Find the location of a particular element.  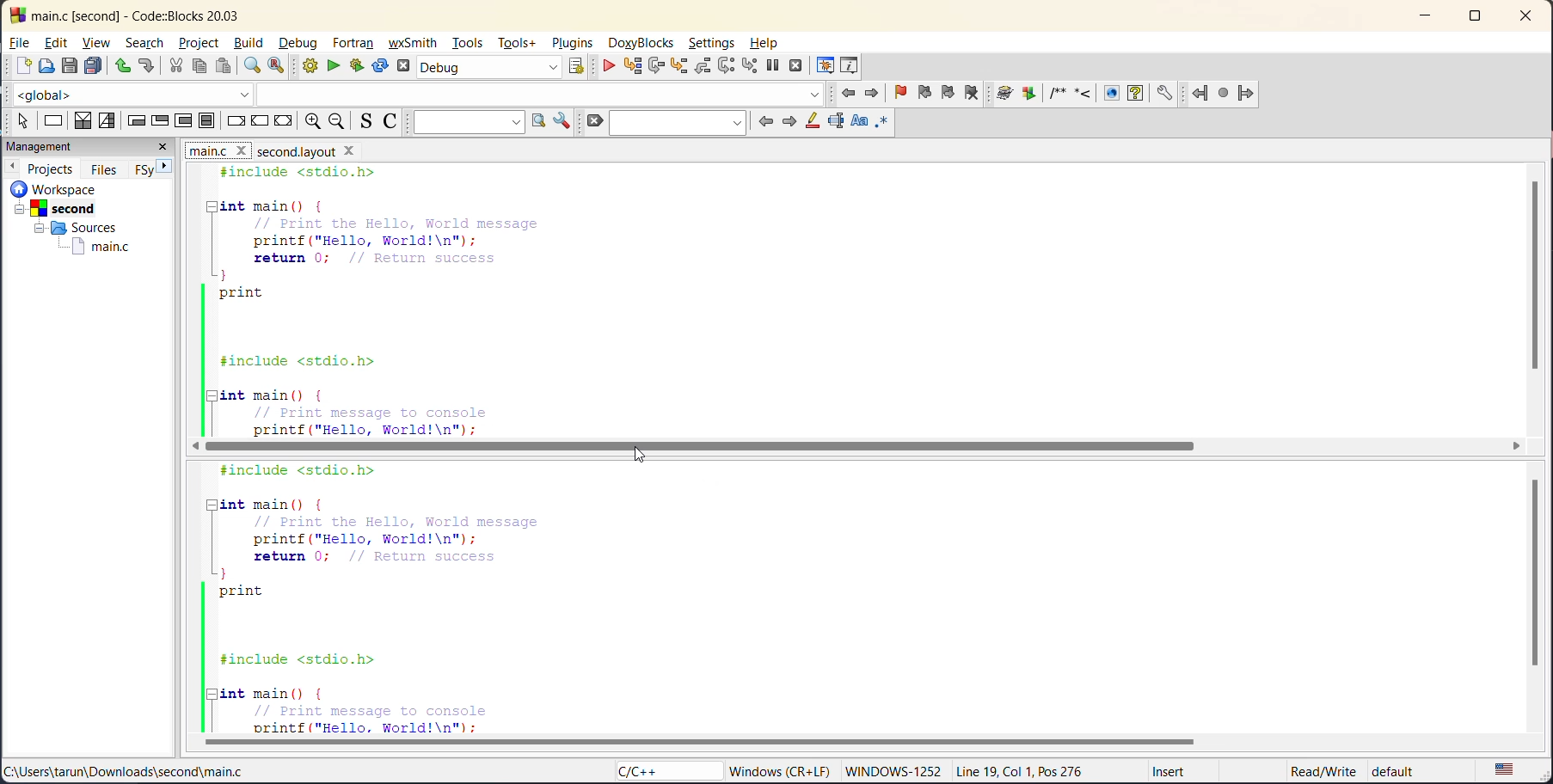

main.c is located at coordinates (101, 248).